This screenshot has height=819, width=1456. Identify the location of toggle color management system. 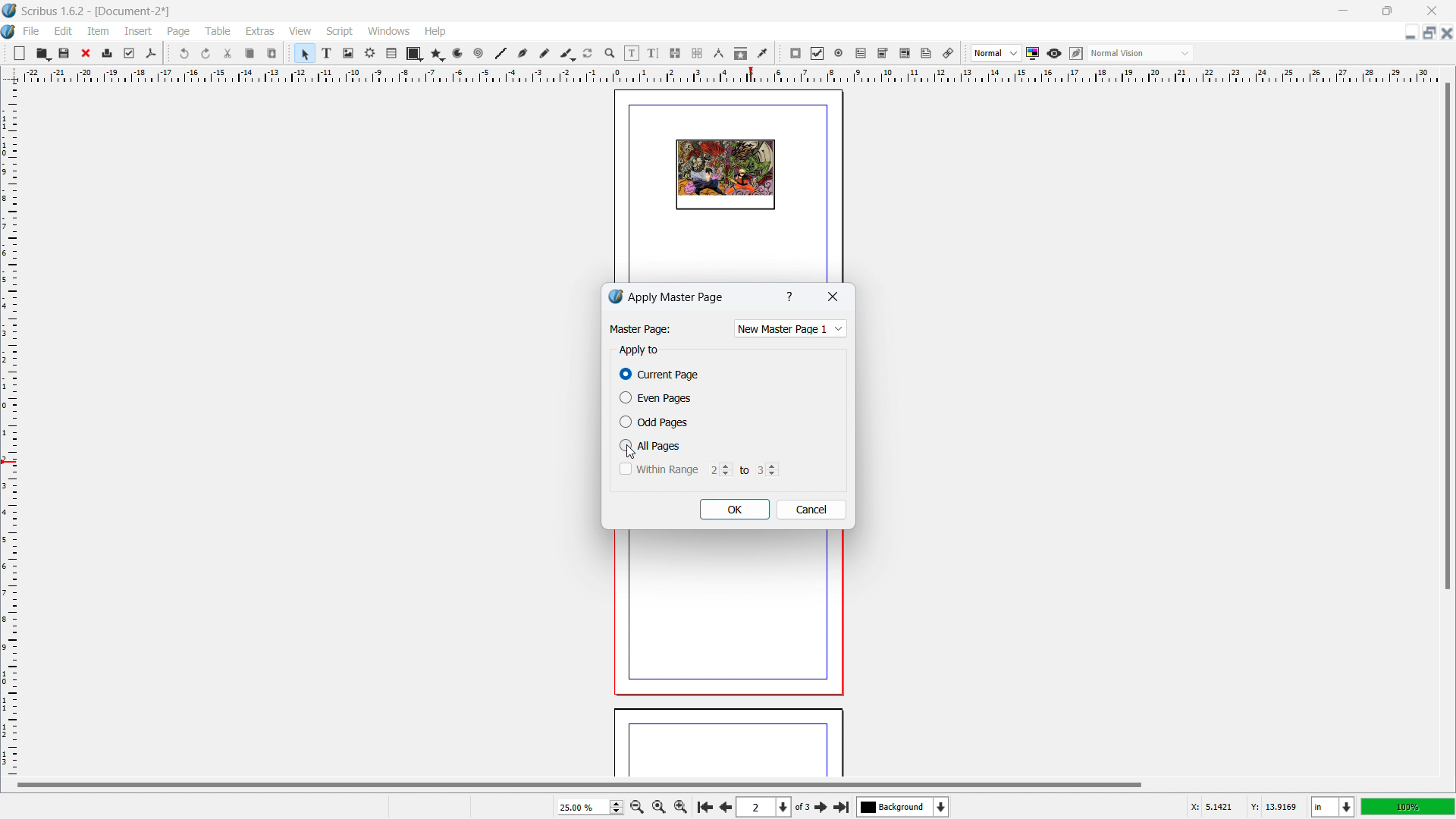
(1034, 53).